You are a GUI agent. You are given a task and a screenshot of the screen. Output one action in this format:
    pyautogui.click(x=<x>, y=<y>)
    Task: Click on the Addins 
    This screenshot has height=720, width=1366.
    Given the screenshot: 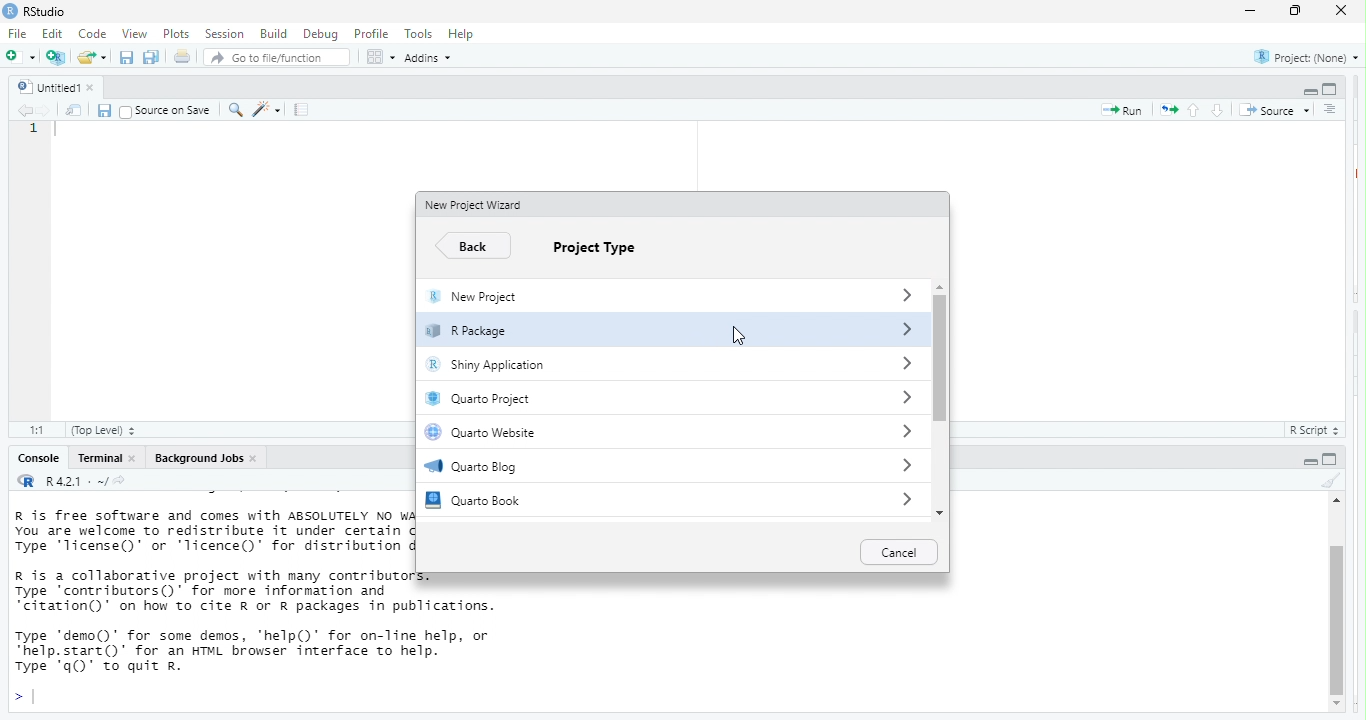 What is the action you would take?
    pyautogui.click(x=434, y=59)
    